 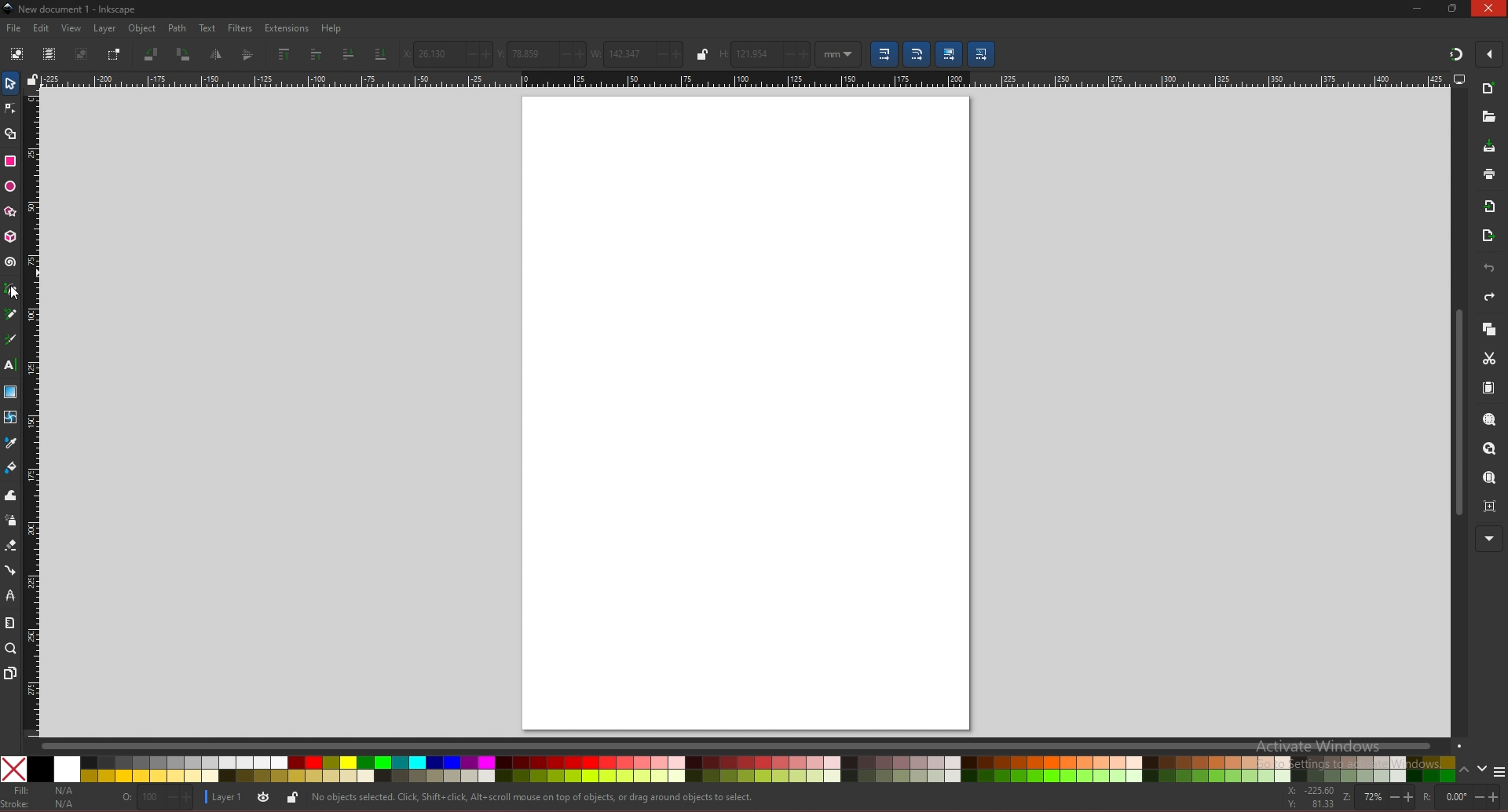 What do you see at coordinates (249, 55) in the screenshot?
I see `flip vertical` at bounding box center [249, 55].